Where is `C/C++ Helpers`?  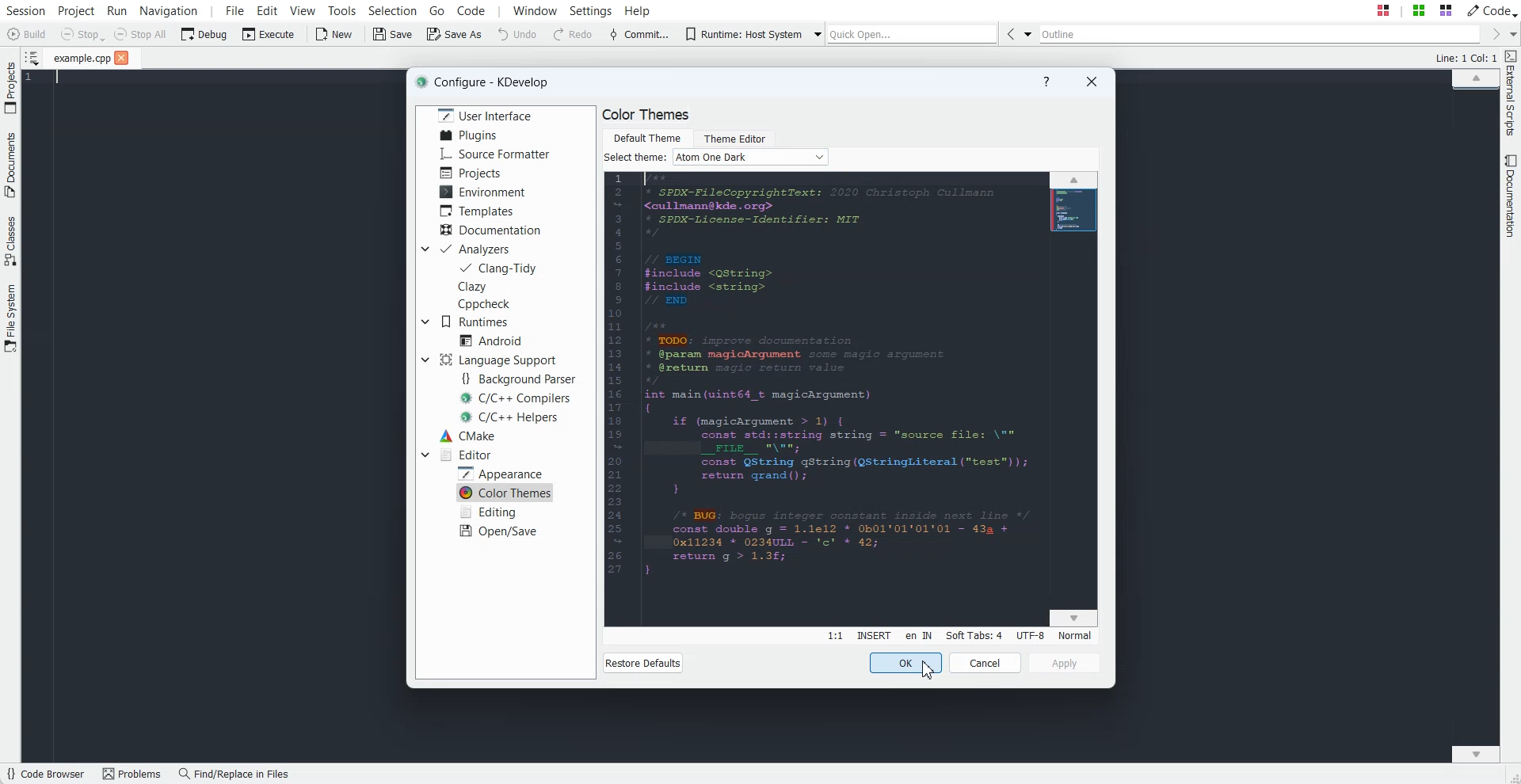 C/C++ Helpers is located at coordinates (511, 417).